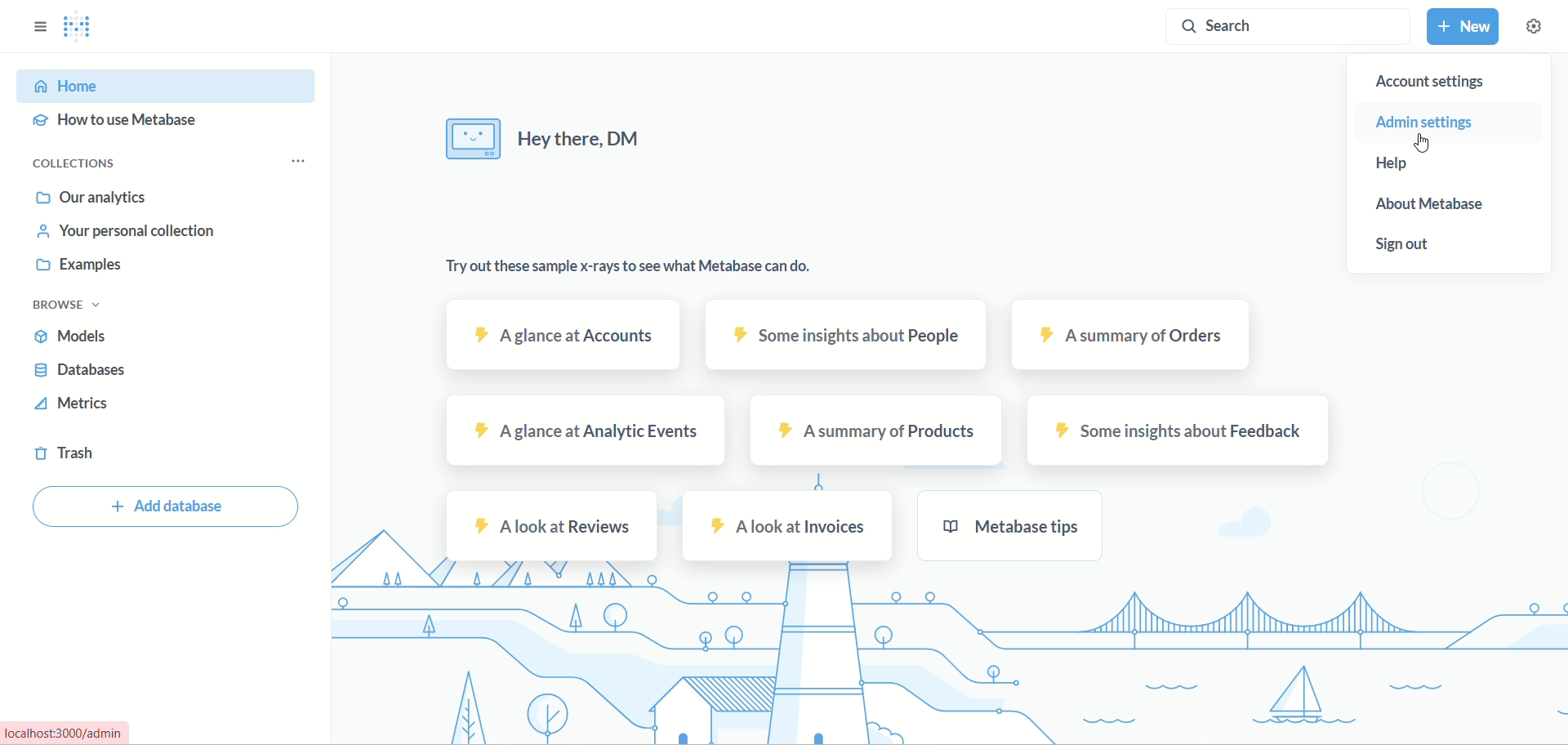 This screenshot has width=1568, height=745. What do you see at coordinates (129, 233) in the screenshot?
I see `your personal collection` at bounding box center [129, 233].